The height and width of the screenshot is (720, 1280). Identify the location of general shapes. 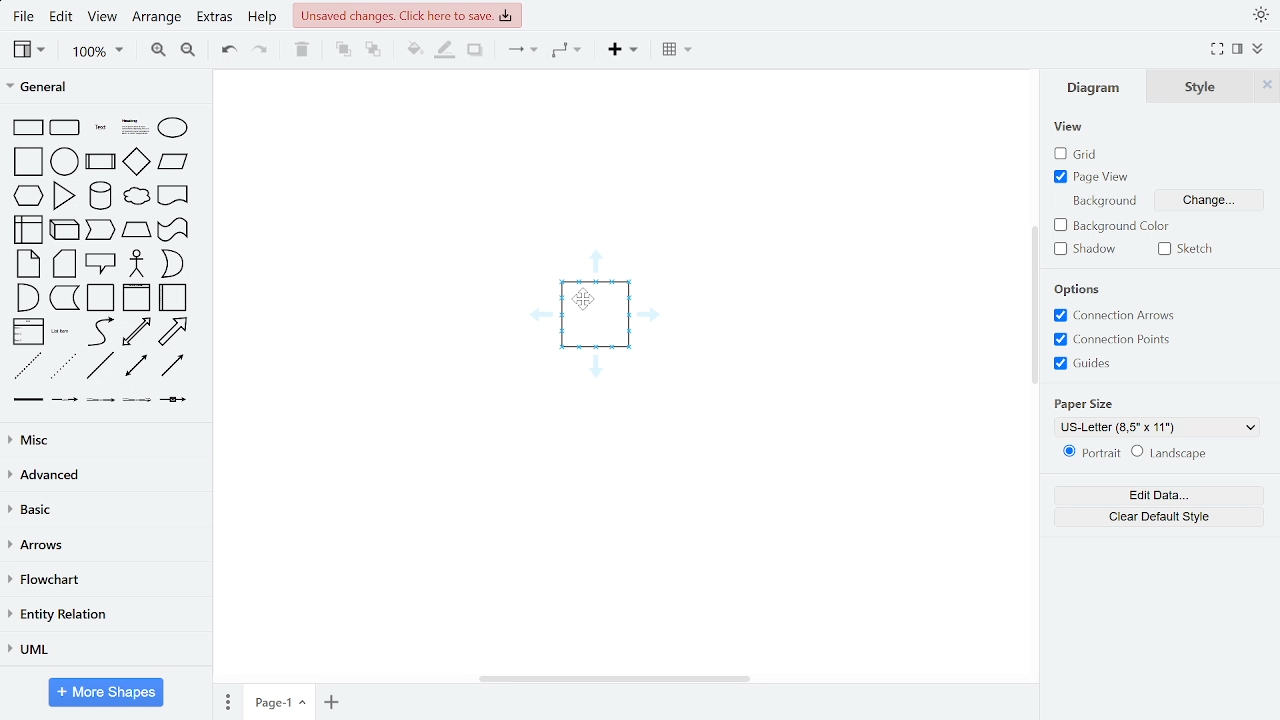
(132, 125).